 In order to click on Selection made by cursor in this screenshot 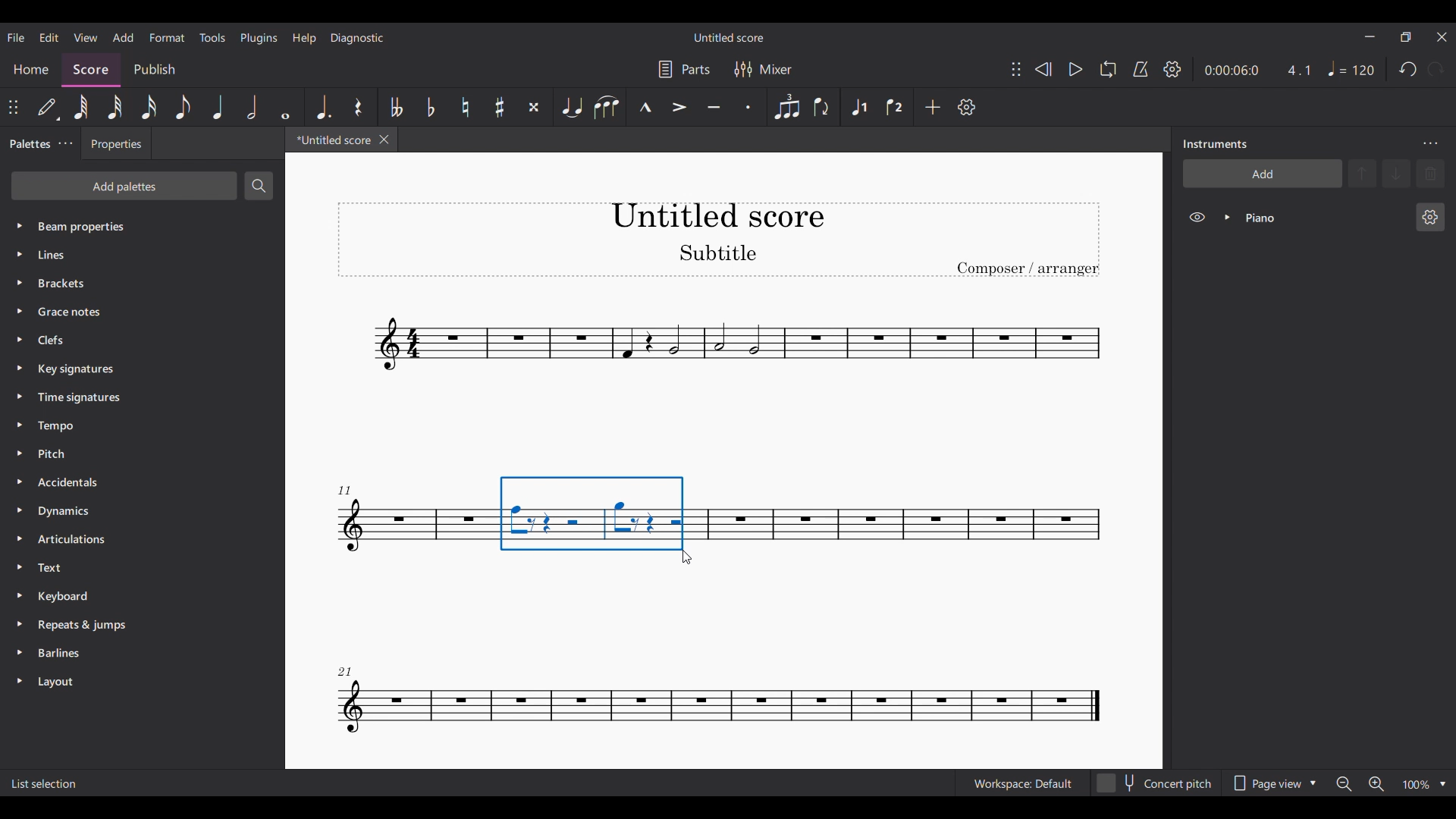, I will do `click(592, 513)`.